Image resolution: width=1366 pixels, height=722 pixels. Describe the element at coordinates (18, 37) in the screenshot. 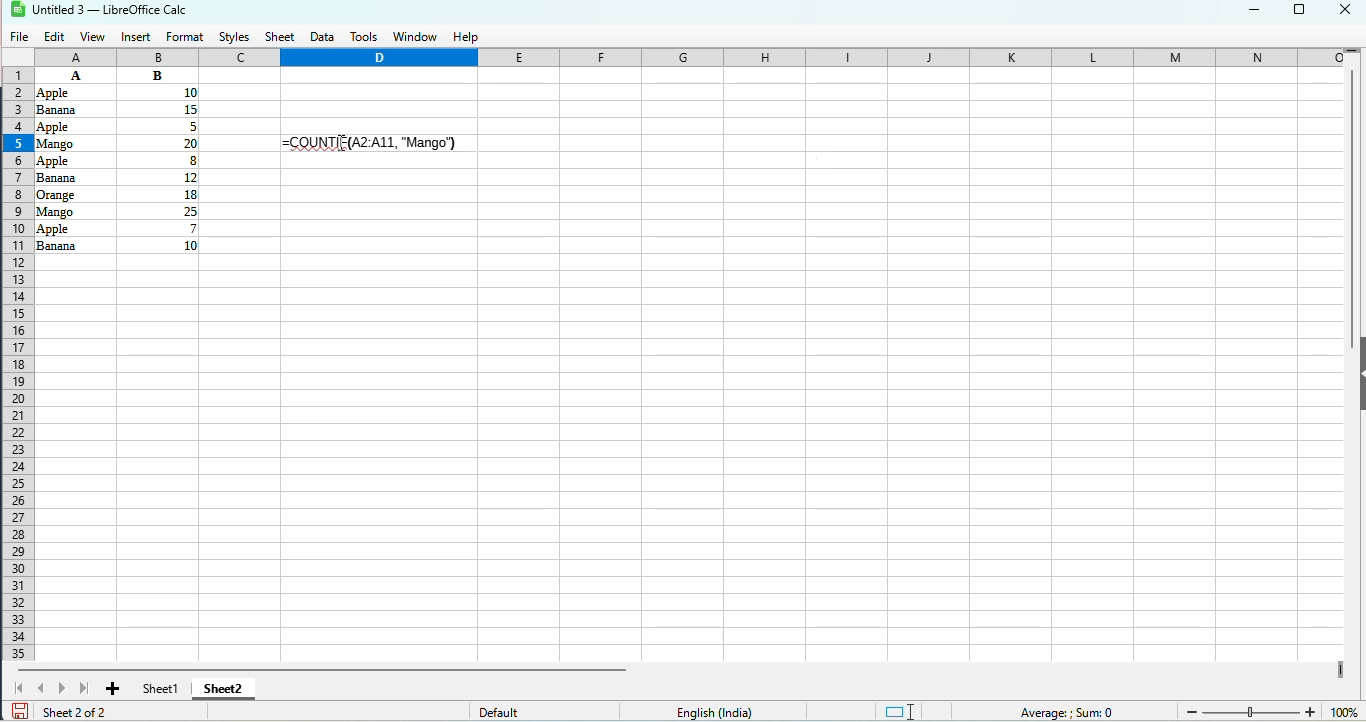

I see `file` at that location.